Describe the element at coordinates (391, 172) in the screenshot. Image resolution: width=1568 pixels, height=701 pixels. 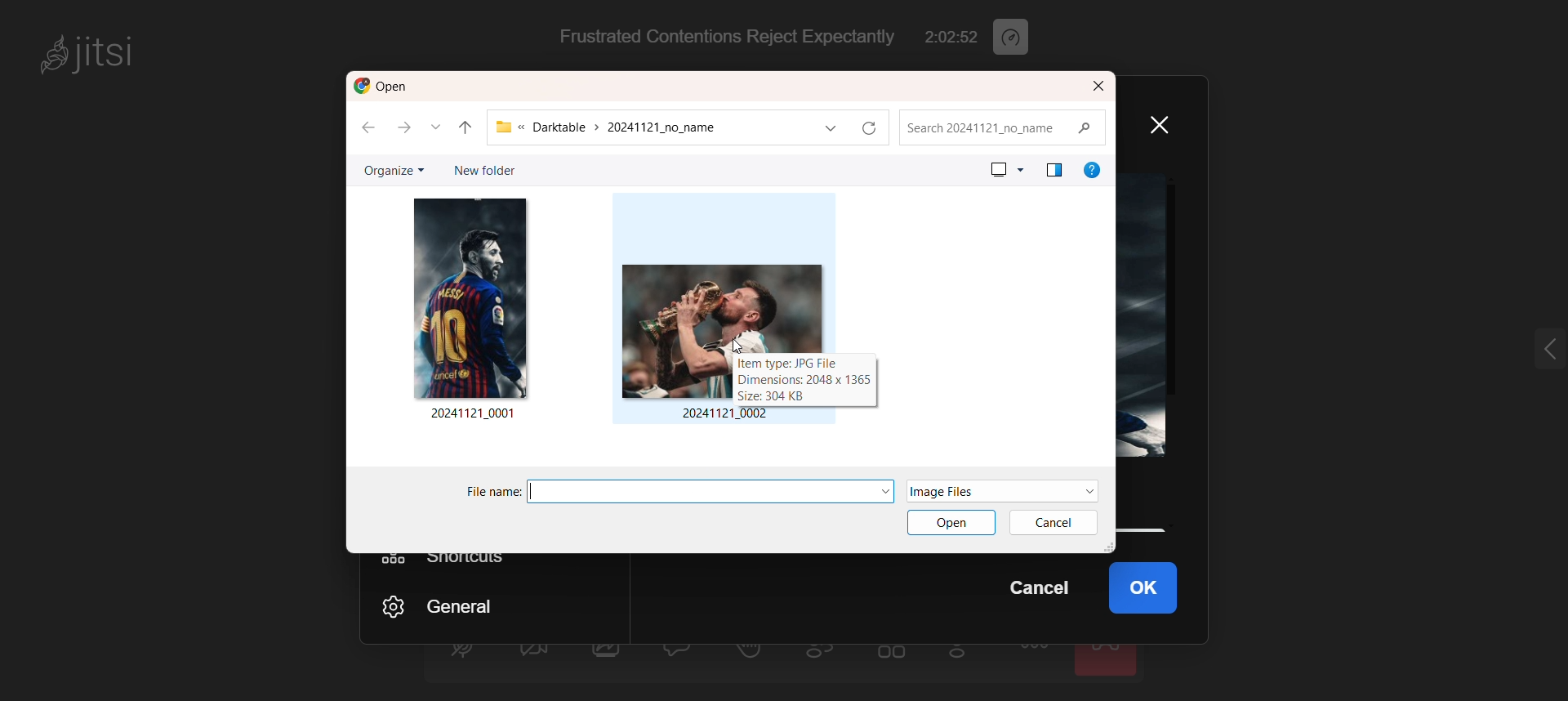
I see `organize` at that location.